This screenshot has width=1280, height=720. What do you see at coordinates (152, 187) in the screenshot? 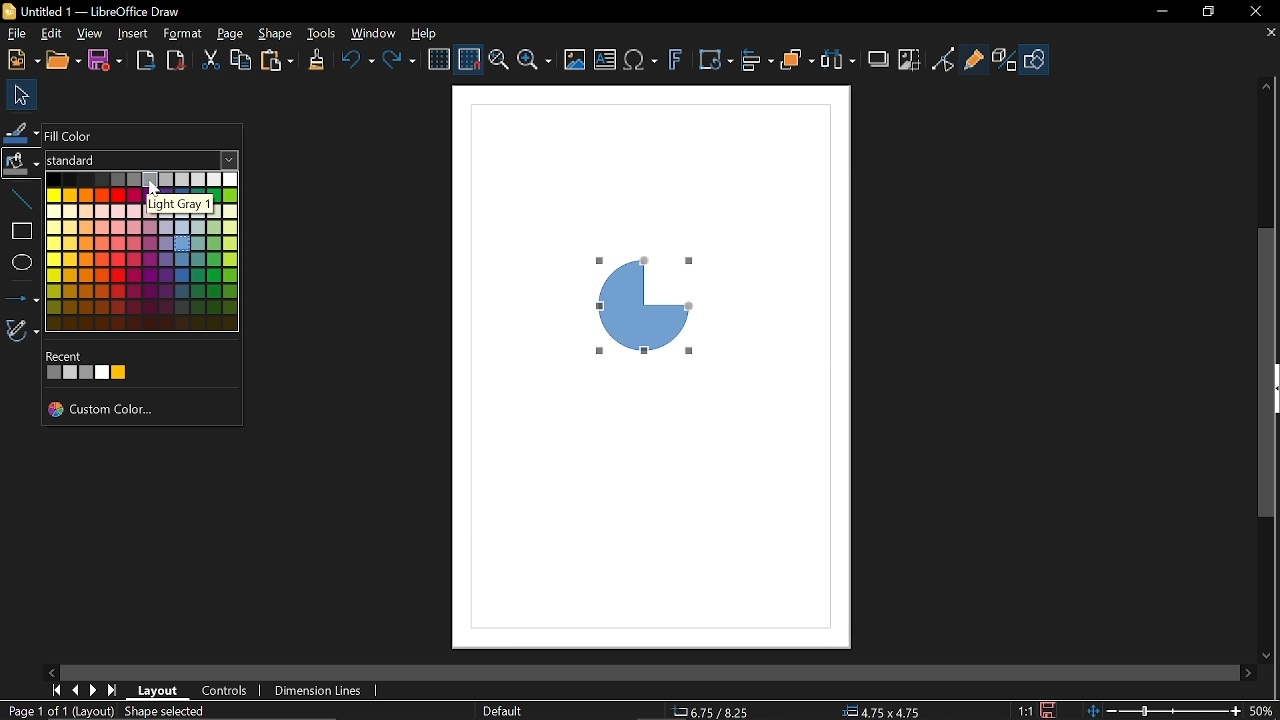
I see `cursor` at bounding box center [152, 187].